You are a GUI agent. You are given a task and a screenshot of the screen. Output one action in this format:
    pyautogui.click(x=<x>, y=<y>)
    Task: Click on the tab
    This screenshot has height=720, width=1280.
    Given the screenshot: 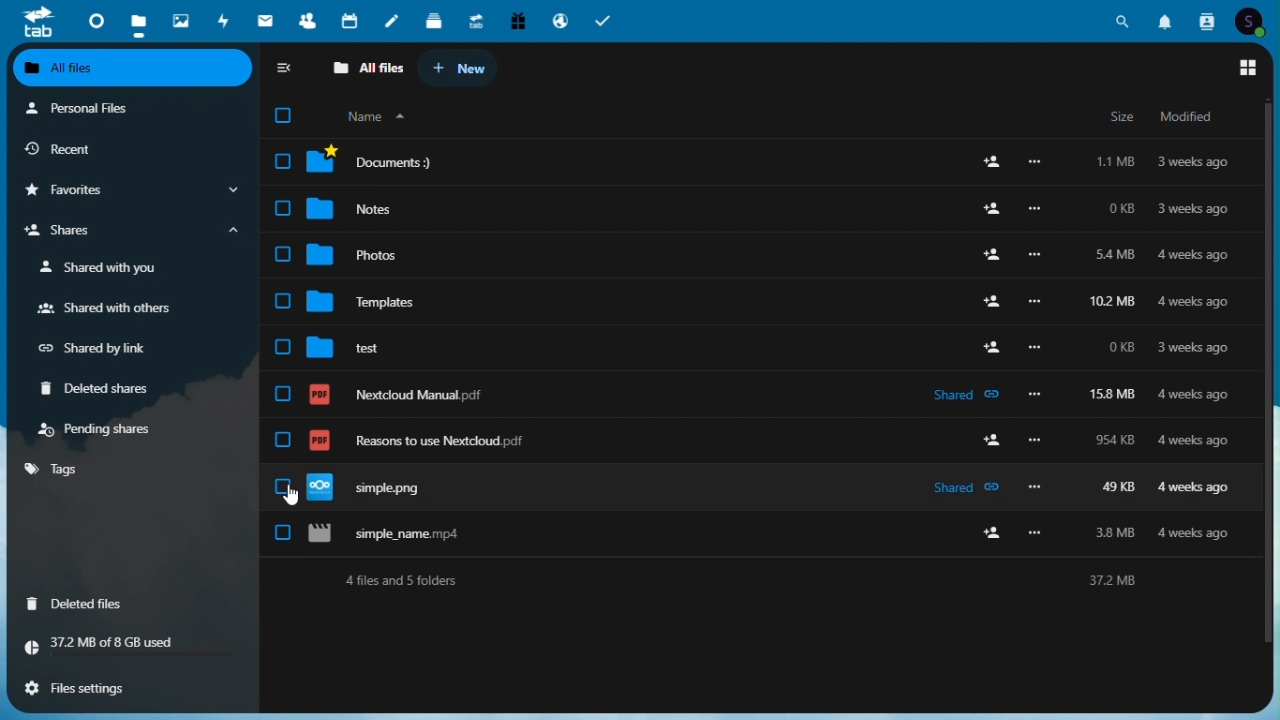 What is the action you would take?
    pyautogui.click(x=30, y=21)
    